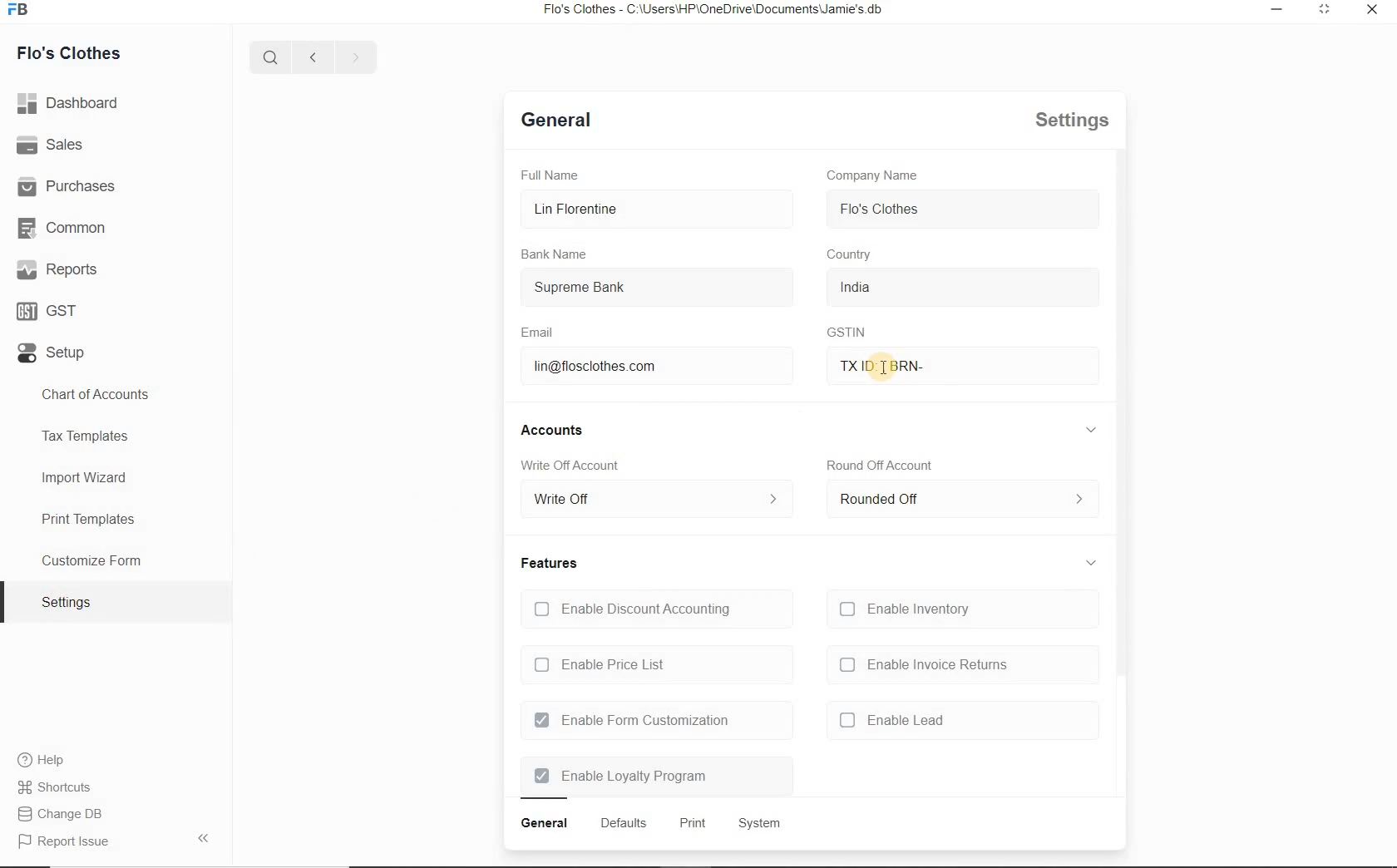  I want to click on write off, so click(654, 501).